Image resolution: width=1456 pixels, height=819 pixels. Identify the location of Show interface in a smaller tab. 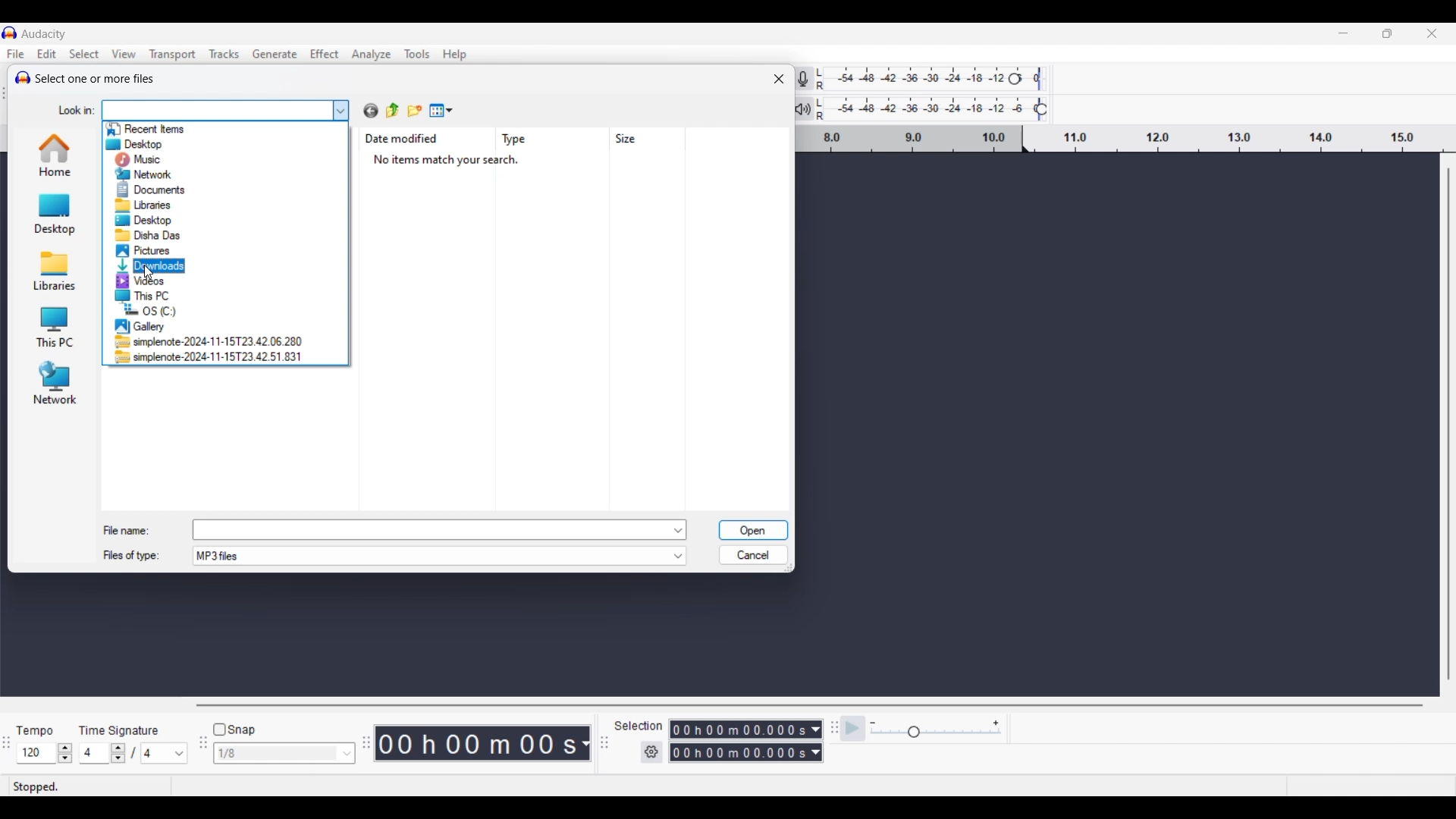
(1387, 33).